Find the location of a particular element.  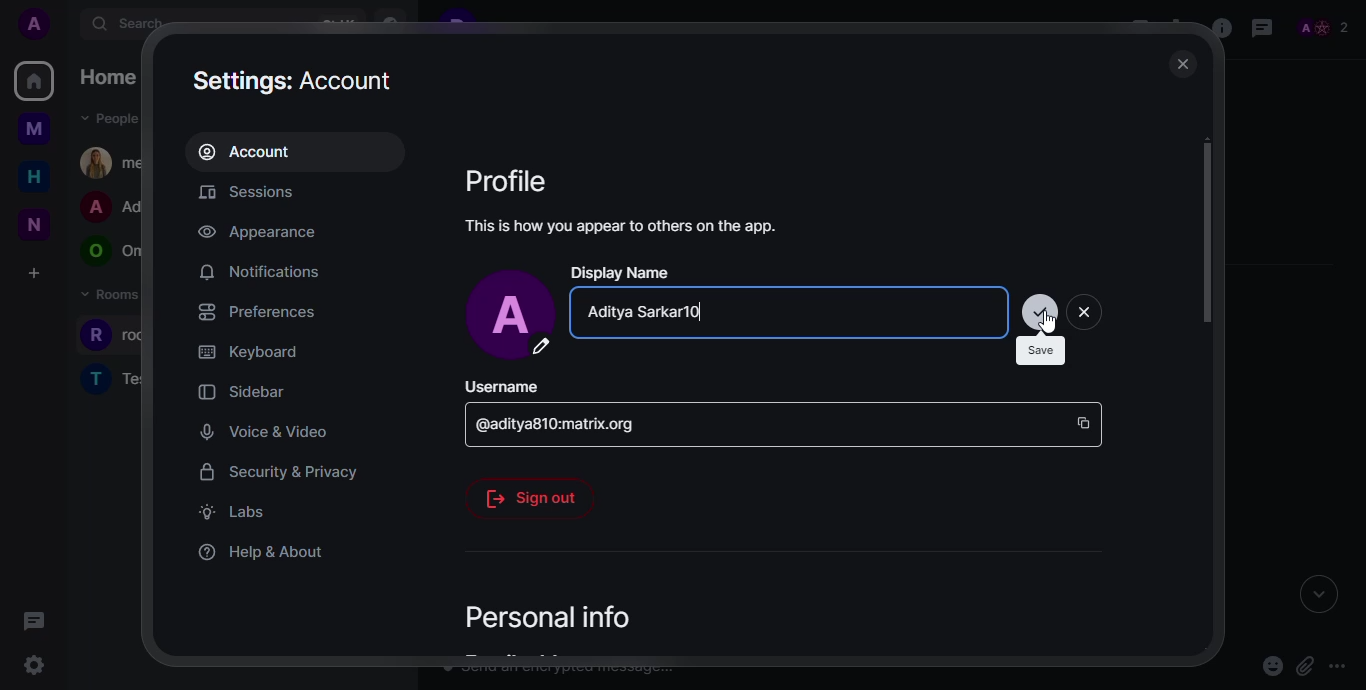

appearance is located at coordinates (259, 232).